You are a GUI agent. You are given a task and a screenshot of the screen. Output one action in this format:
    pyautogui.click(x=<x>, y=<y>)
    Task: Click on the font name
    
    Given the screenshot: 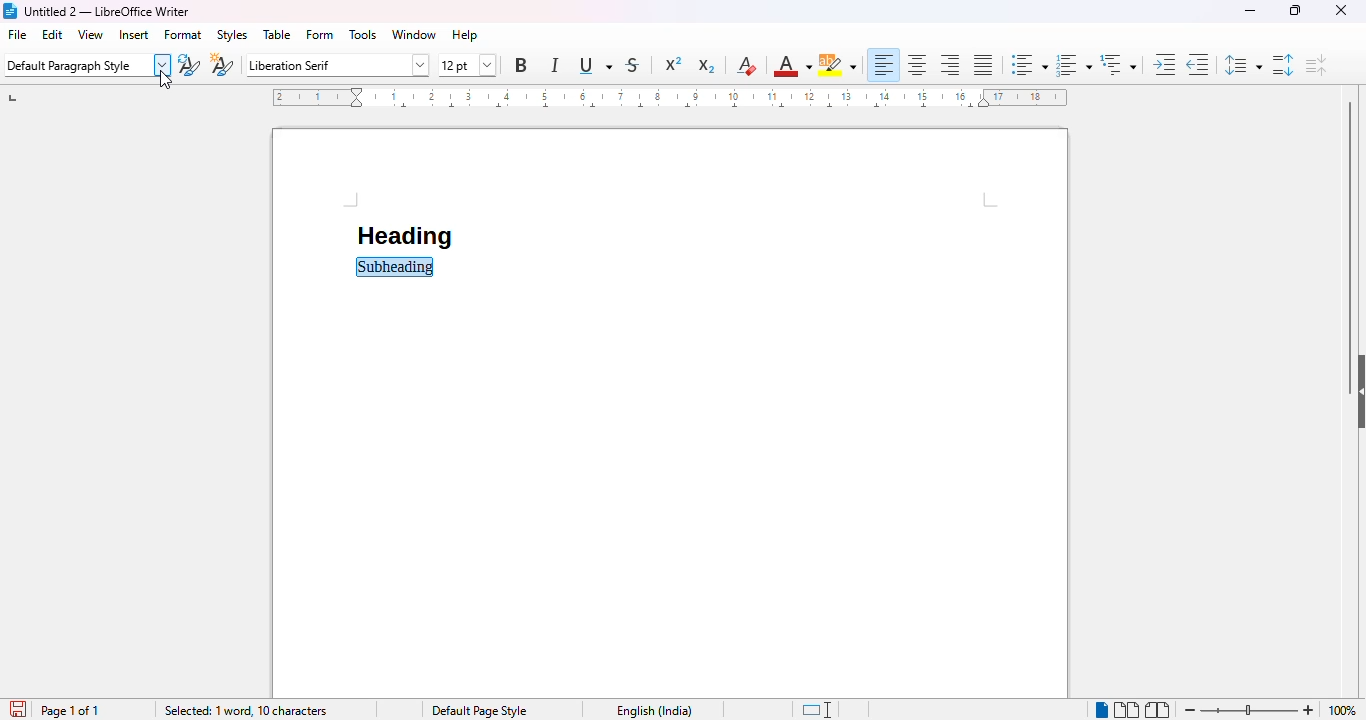 What is the action you would take?
    pyautogui.click(x=338, y=65)
    